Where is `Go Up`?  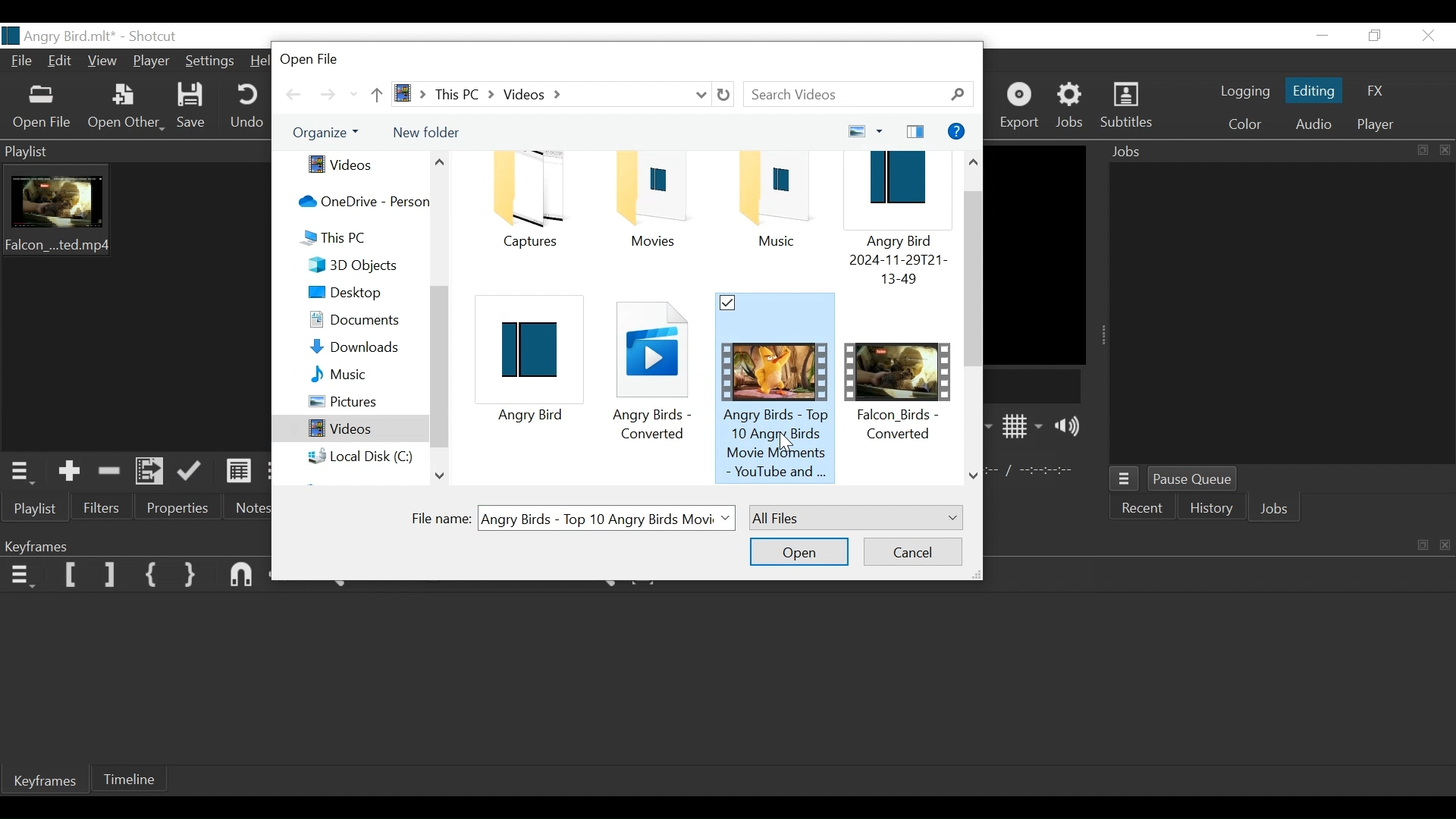 Go Up is located at coordinates (376, 94).